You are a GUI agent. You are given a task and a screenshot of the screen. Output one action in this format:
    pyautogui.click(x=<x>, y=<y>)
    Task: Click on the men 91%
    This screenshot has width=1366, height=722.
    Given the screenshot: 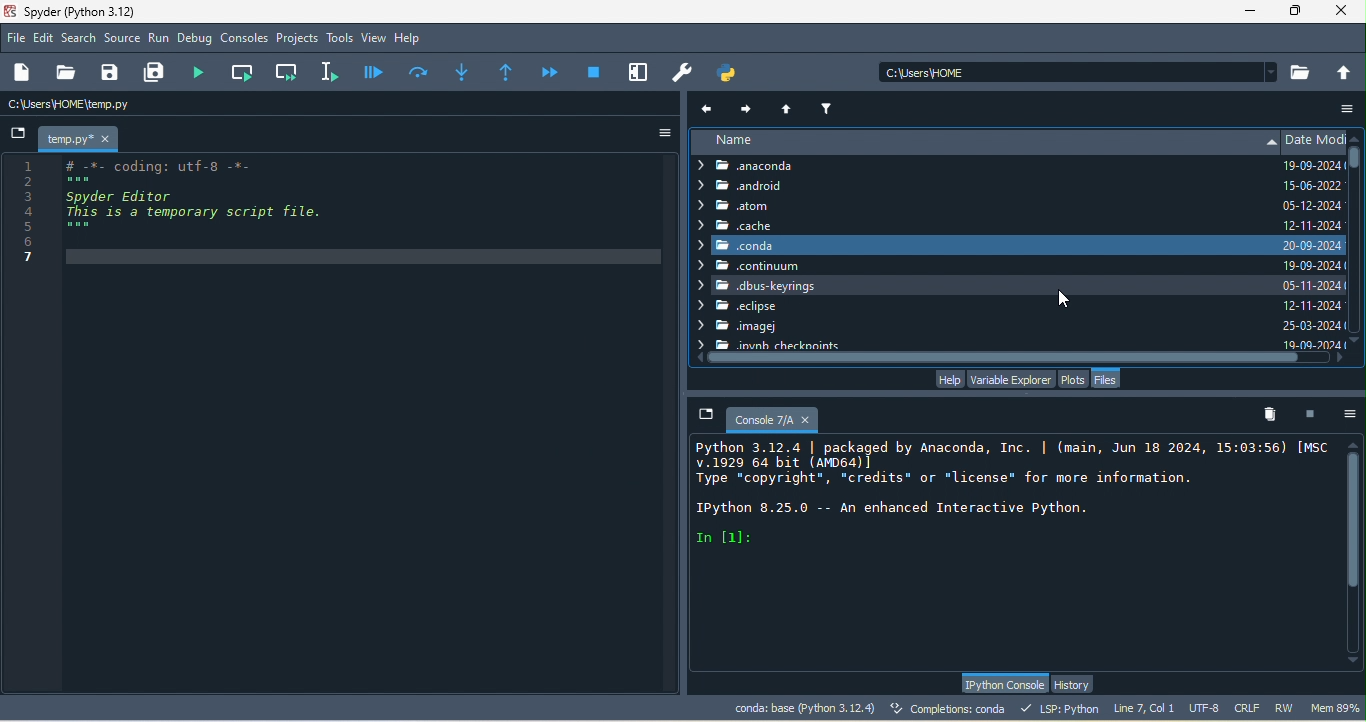 What is the action you would take?
    pyautogui.click(x=1338, y=707)
    